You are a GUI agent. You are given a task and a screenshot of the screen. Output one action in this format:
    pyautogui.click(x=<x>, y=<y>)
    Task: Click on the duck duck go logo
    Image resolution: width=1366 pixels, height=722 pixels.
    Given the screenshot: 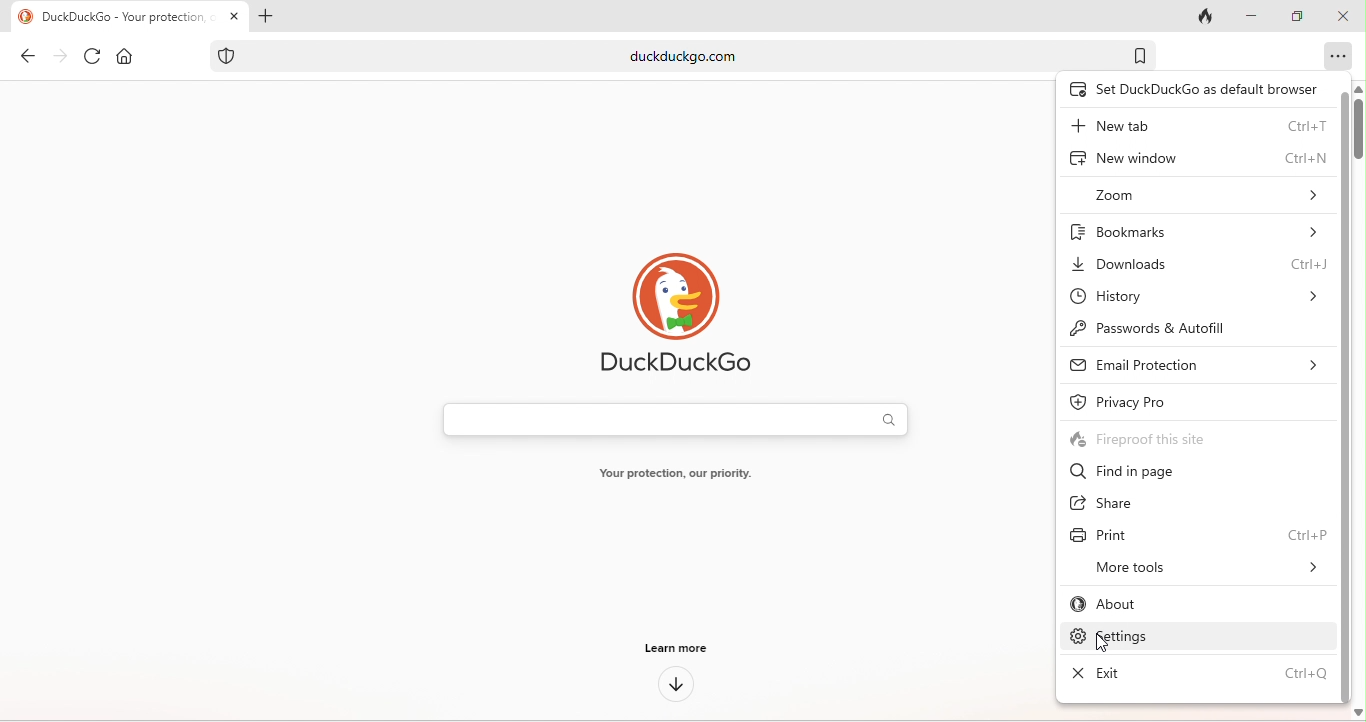 What is the action you would take?
    pyautogui.click(x=682, y=297)
    